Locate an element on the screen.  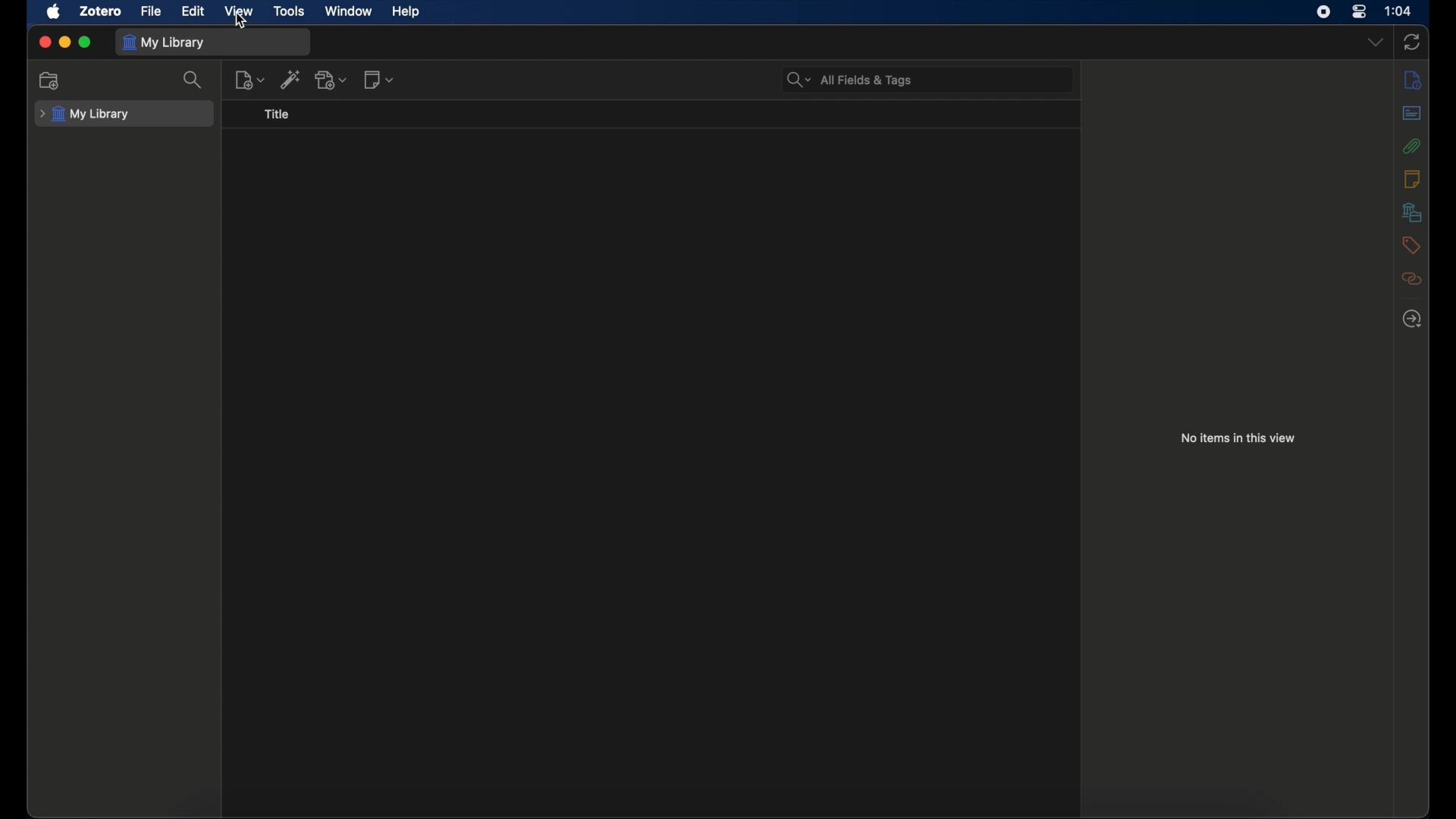
attachments is located at coordinates (1412, 146).